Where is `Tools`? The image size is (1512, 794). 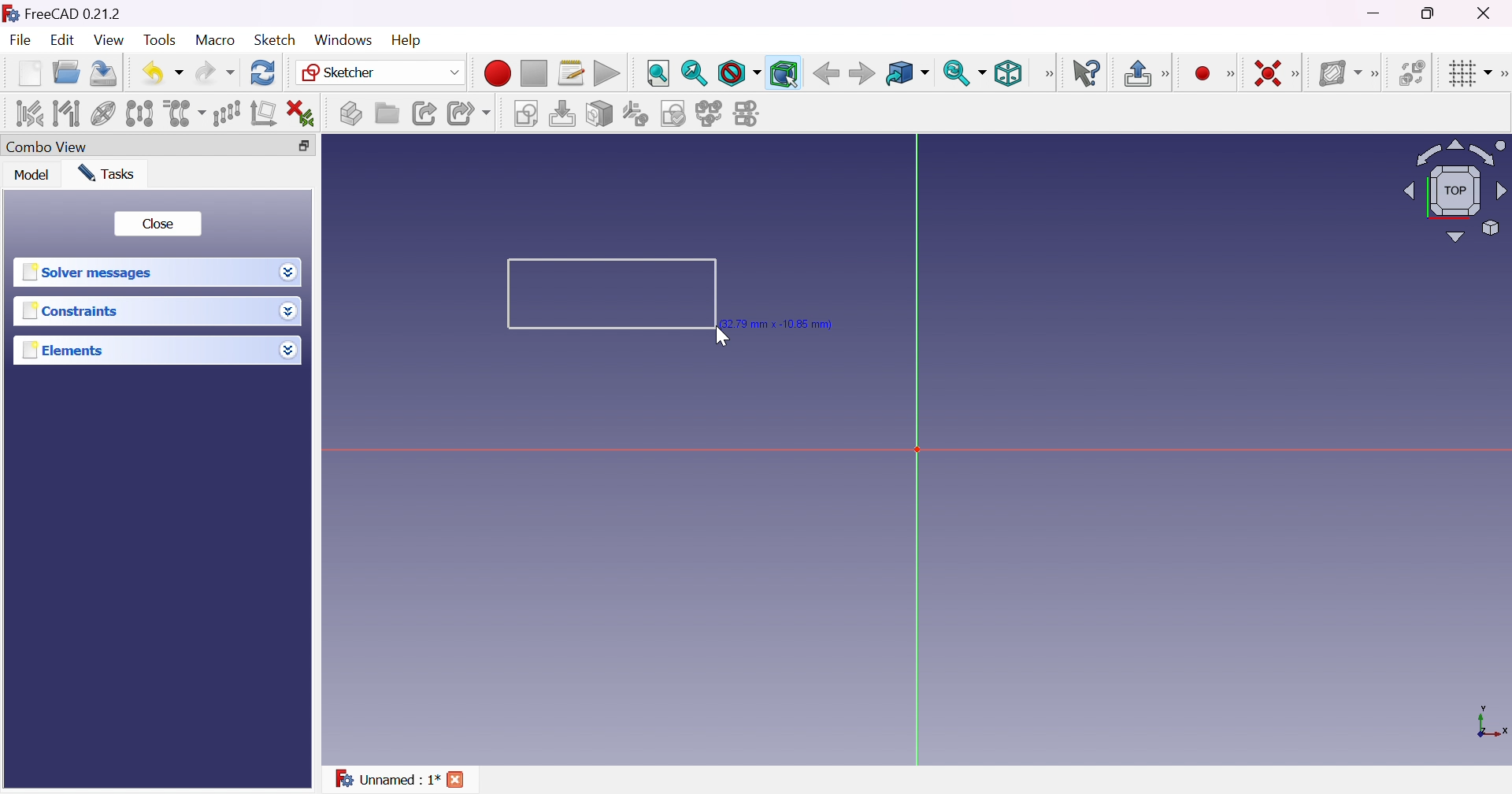 Tools is located at coordinates (161, 40).